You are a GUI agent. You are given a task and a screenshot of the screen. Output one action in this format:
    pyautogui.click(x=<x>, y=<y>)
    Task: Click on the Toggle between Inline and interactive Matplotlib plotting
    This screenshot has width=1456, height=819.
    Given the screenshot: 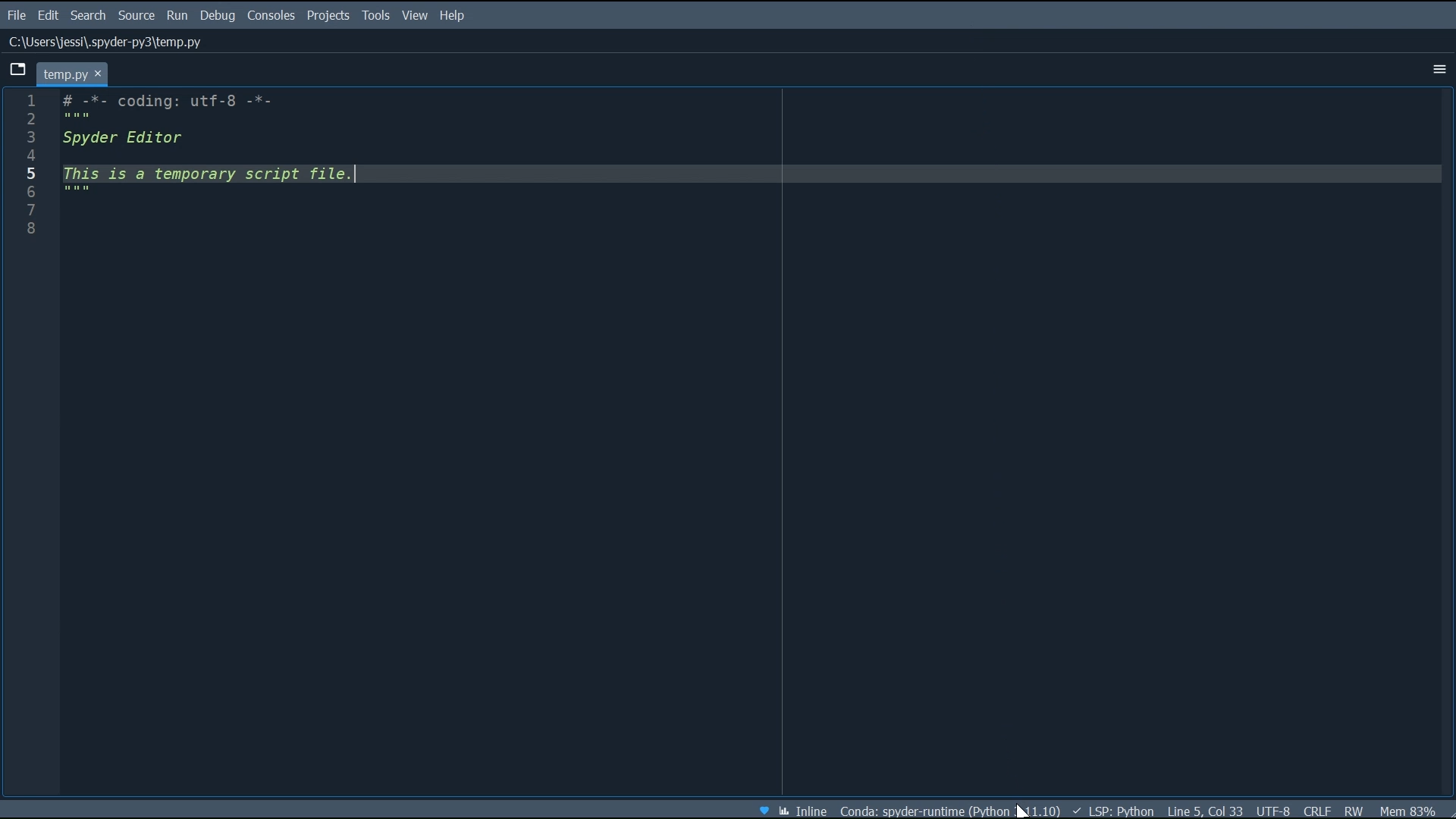 What is the action you would take?
    pyautogui.click(x=804, y=808)
    